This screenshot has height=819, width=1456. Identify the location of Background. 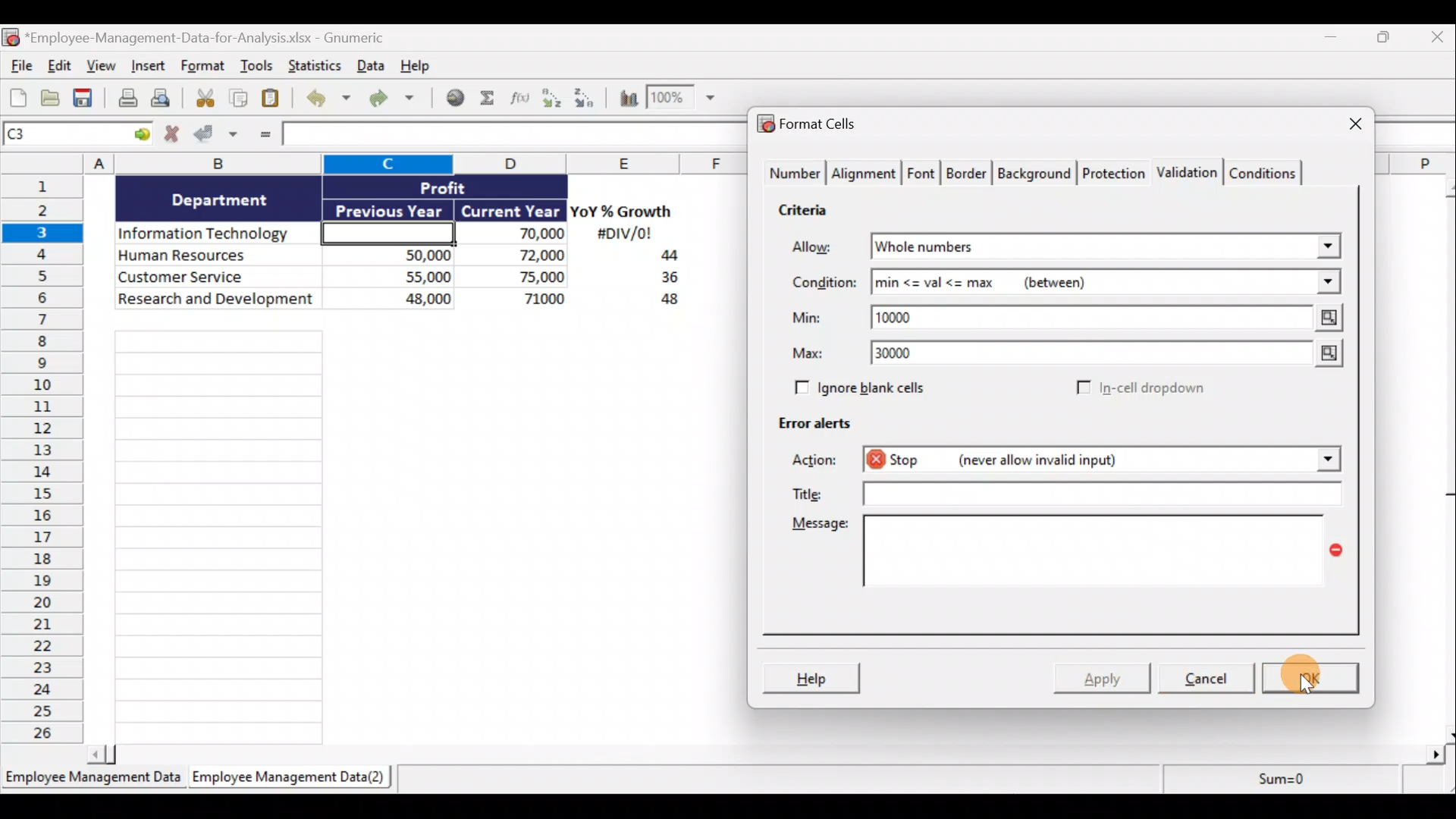
(1038, 174).